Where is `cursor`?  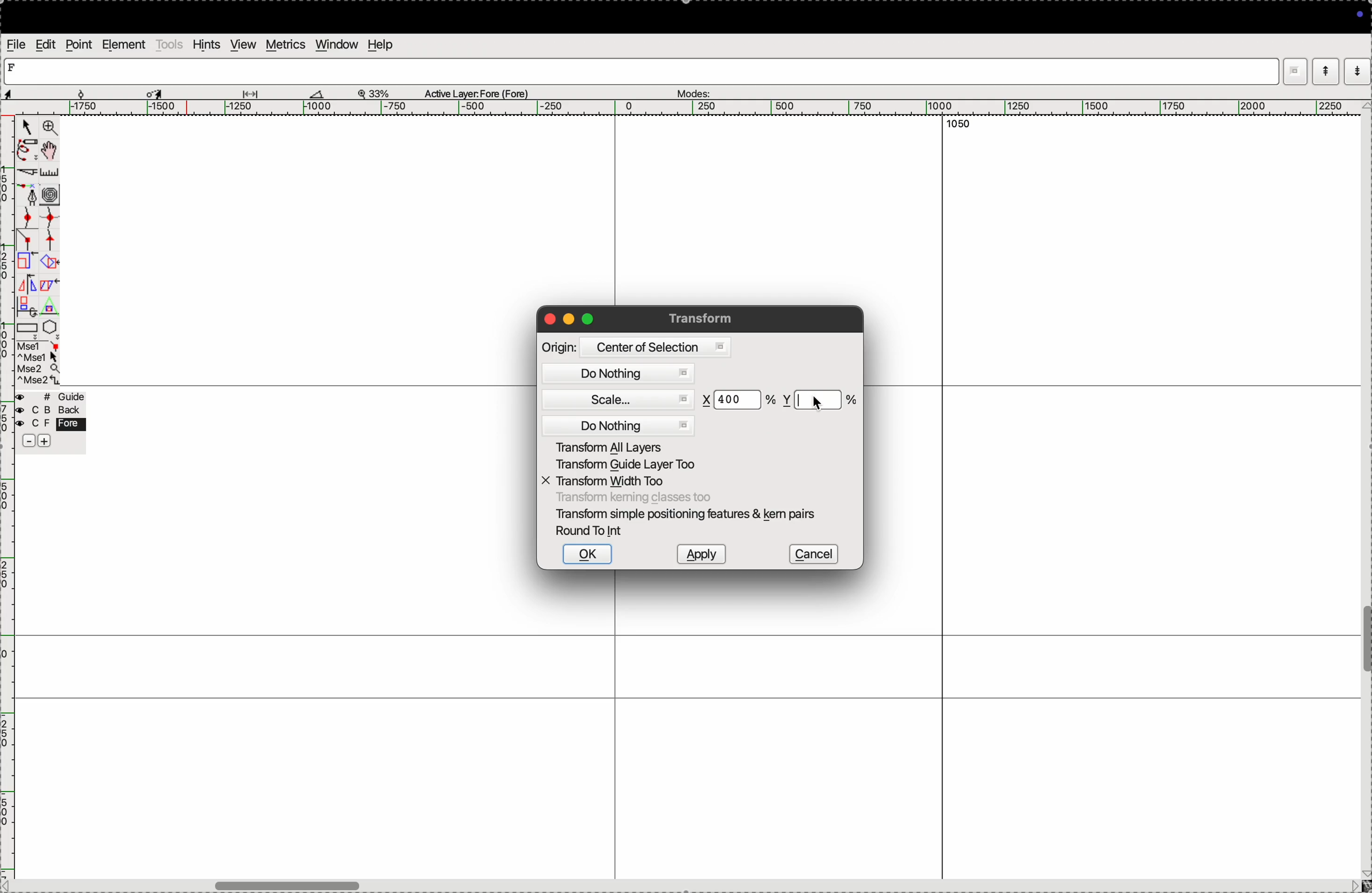
cursor is located at coordinates (25, 128).